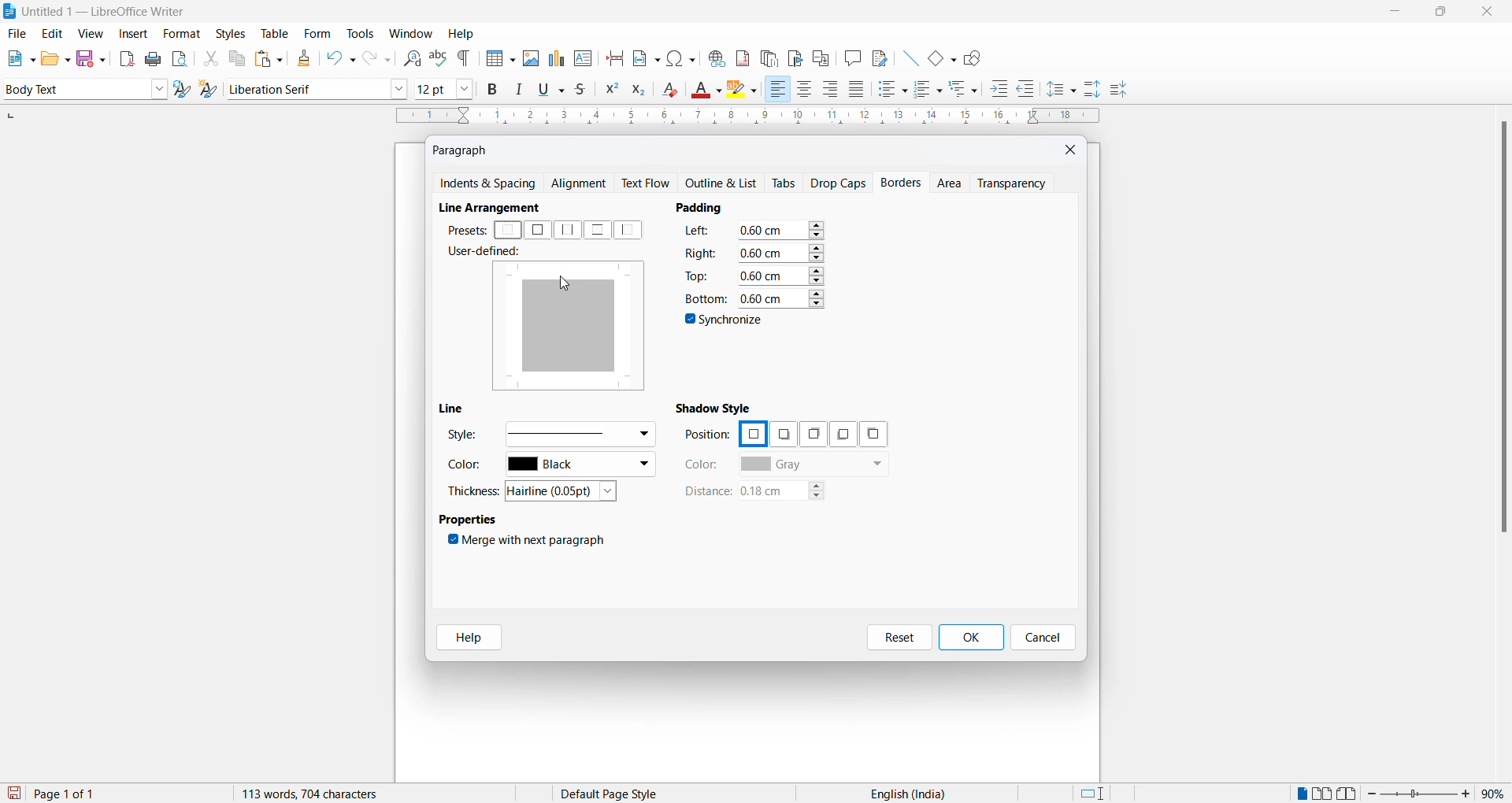  I want to click on insert, so click(132, 35).